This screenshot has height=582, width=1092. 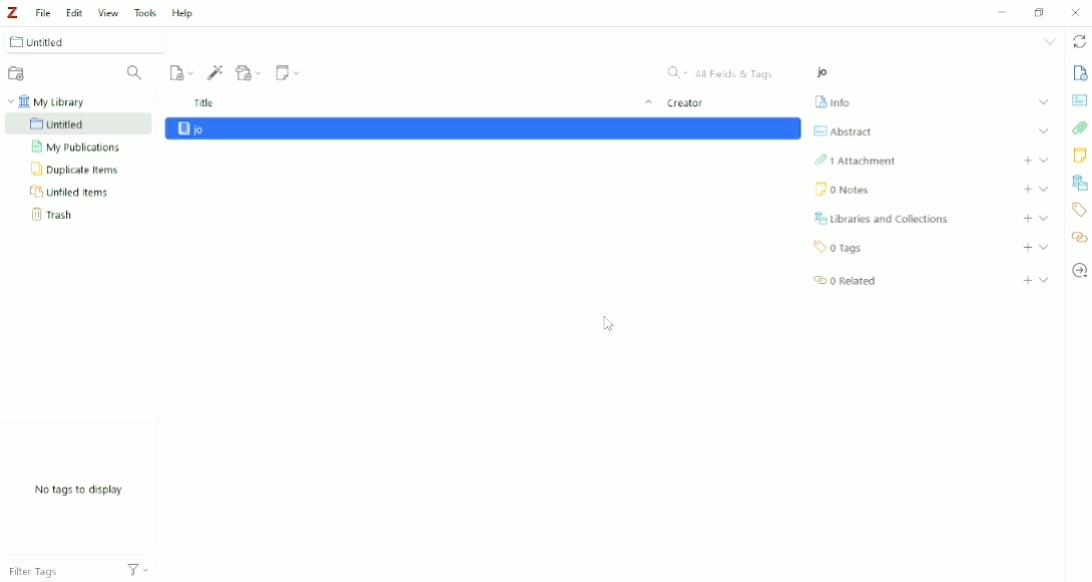 I want to click on Add, so click(x=1027, y=190).